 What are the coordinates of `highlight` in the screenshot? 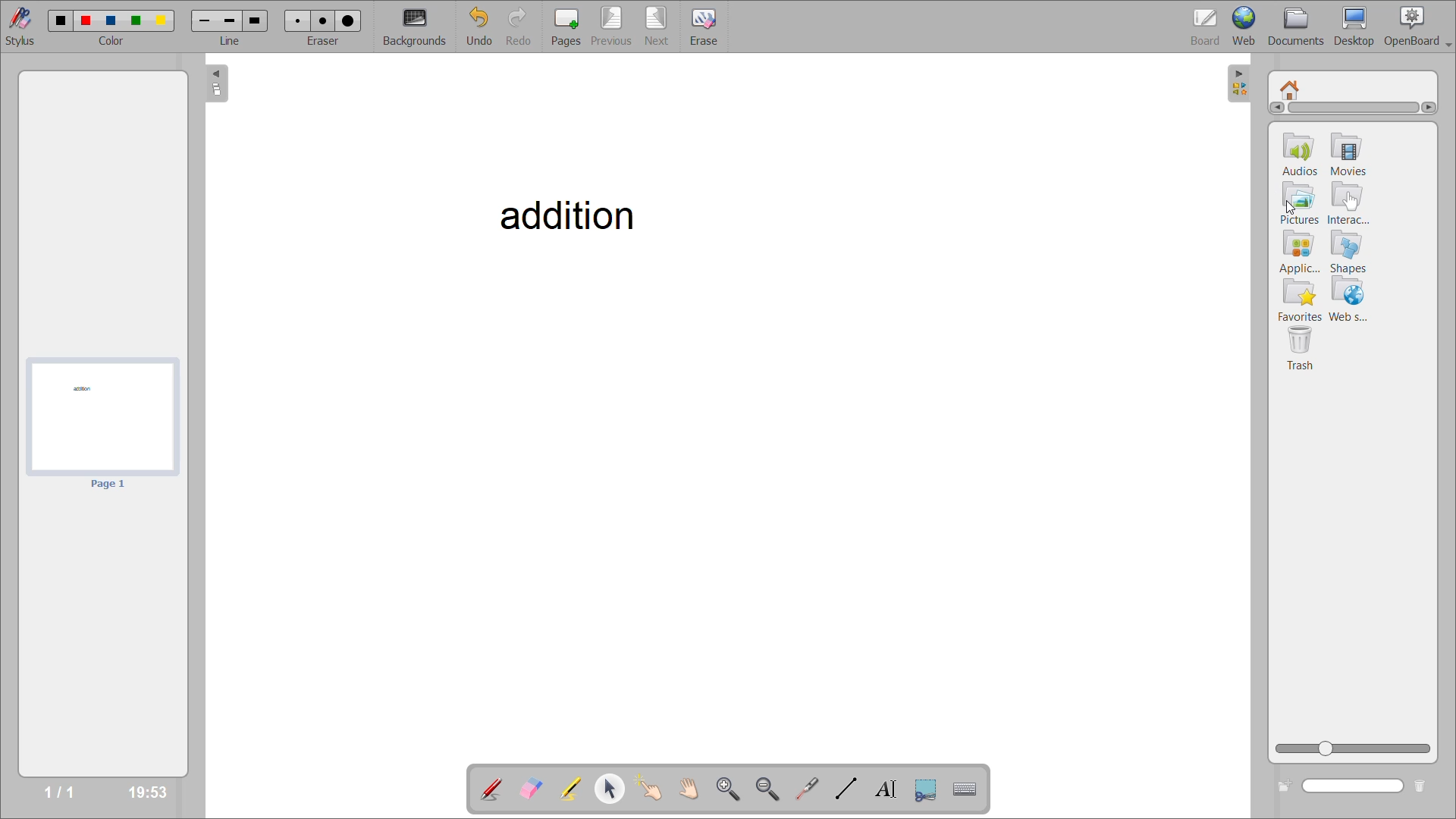 It's located at (576, 790).